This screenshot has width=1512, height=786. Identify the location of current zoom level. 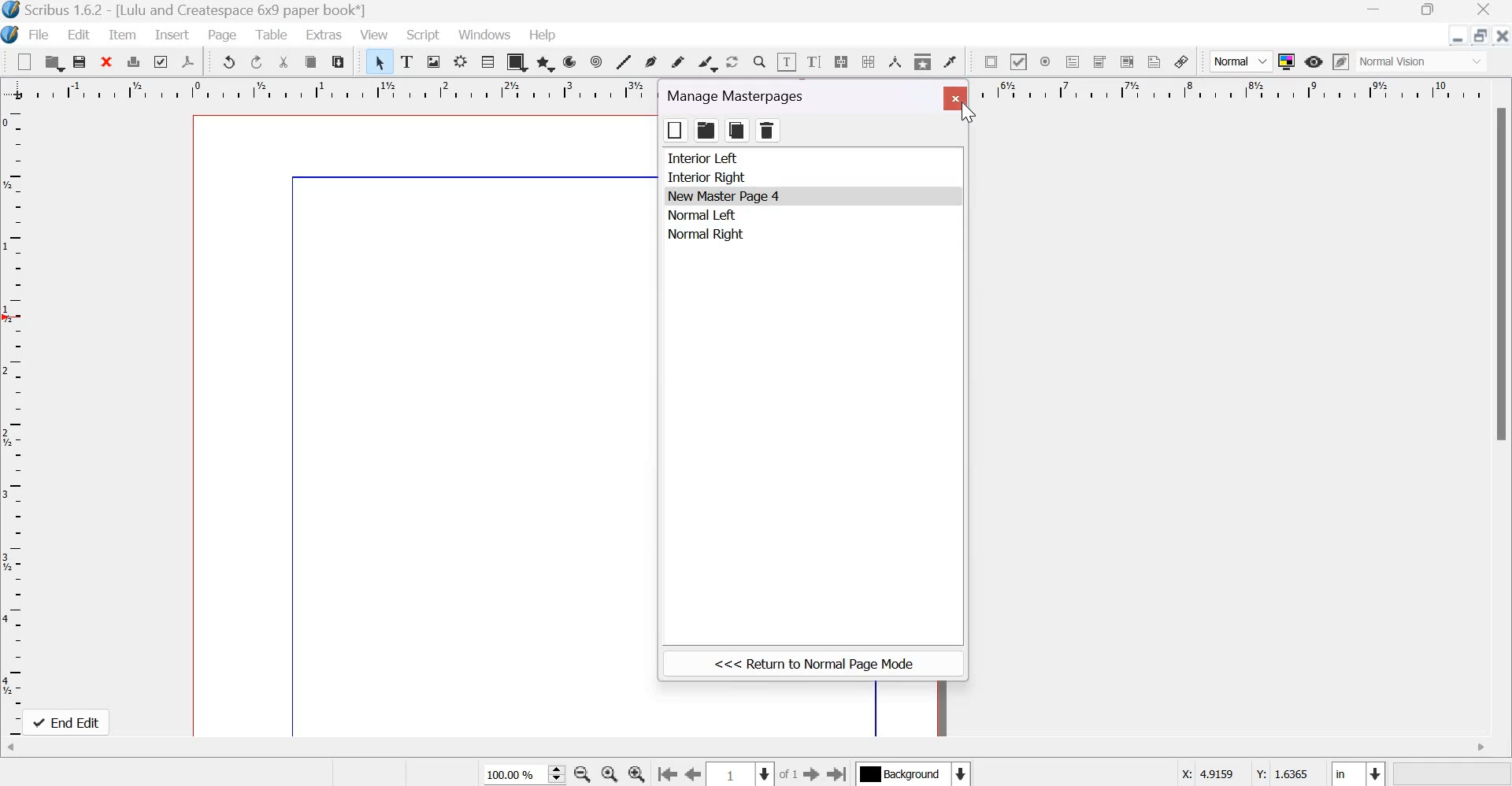
(519, 775).